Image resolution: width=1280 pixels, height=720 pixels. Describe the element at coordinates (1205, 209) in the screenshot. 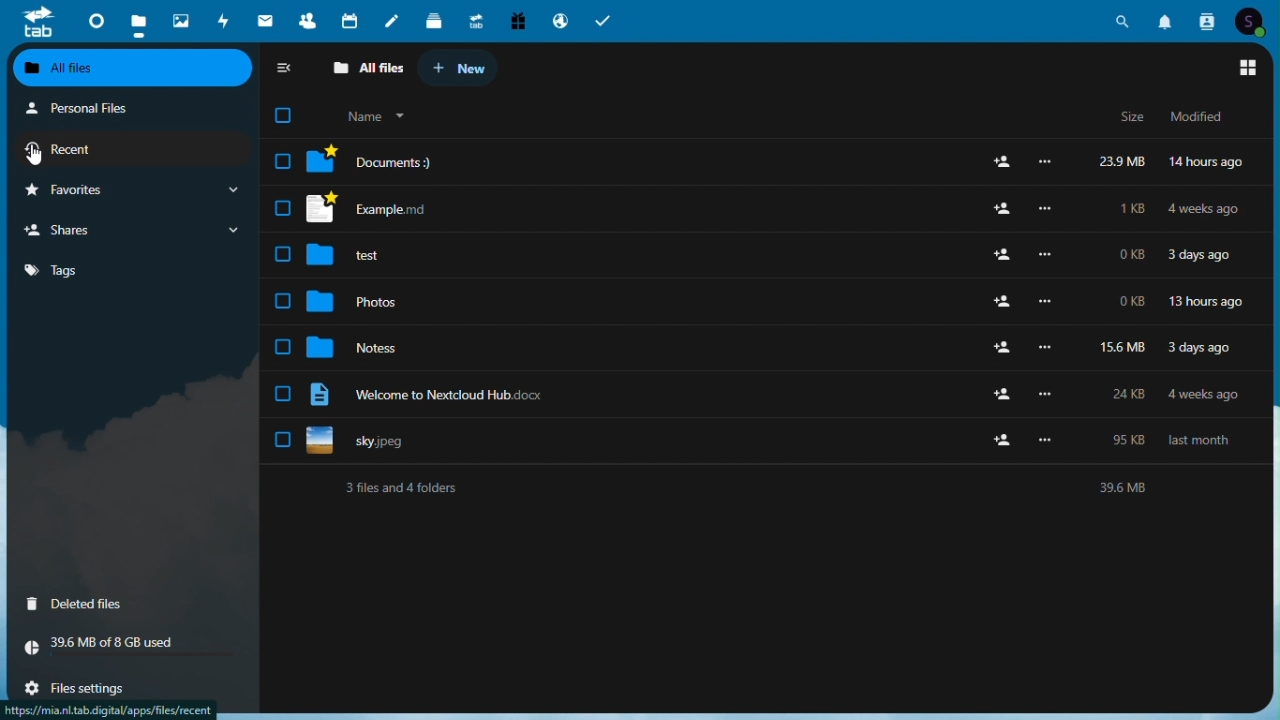

I see `4 weeks ago` at that location.